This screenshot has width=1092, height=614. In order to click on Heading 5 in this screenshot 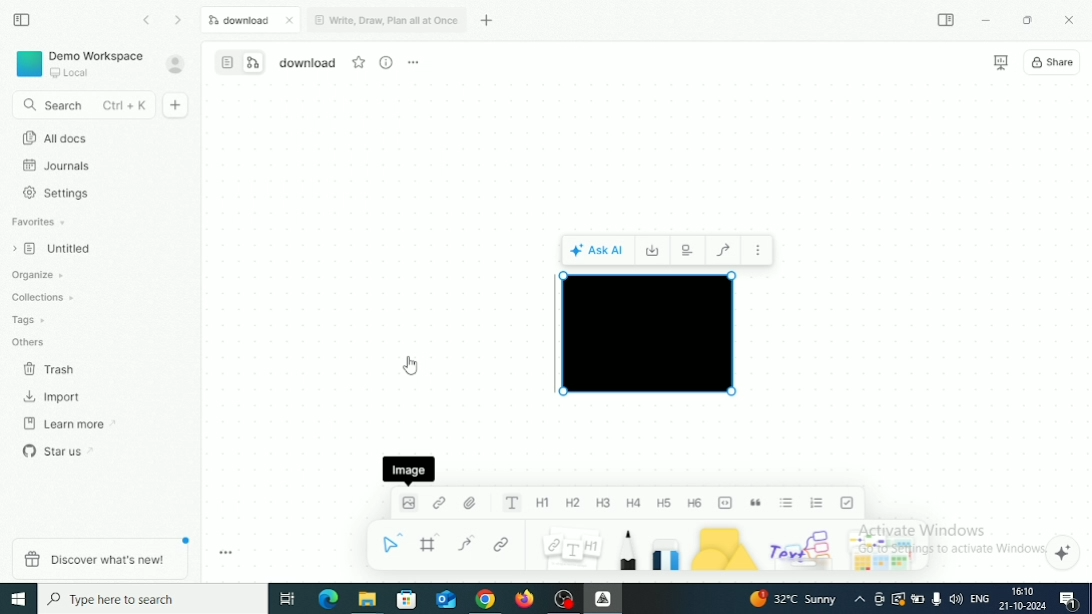, I will do `click(665, 503)`.